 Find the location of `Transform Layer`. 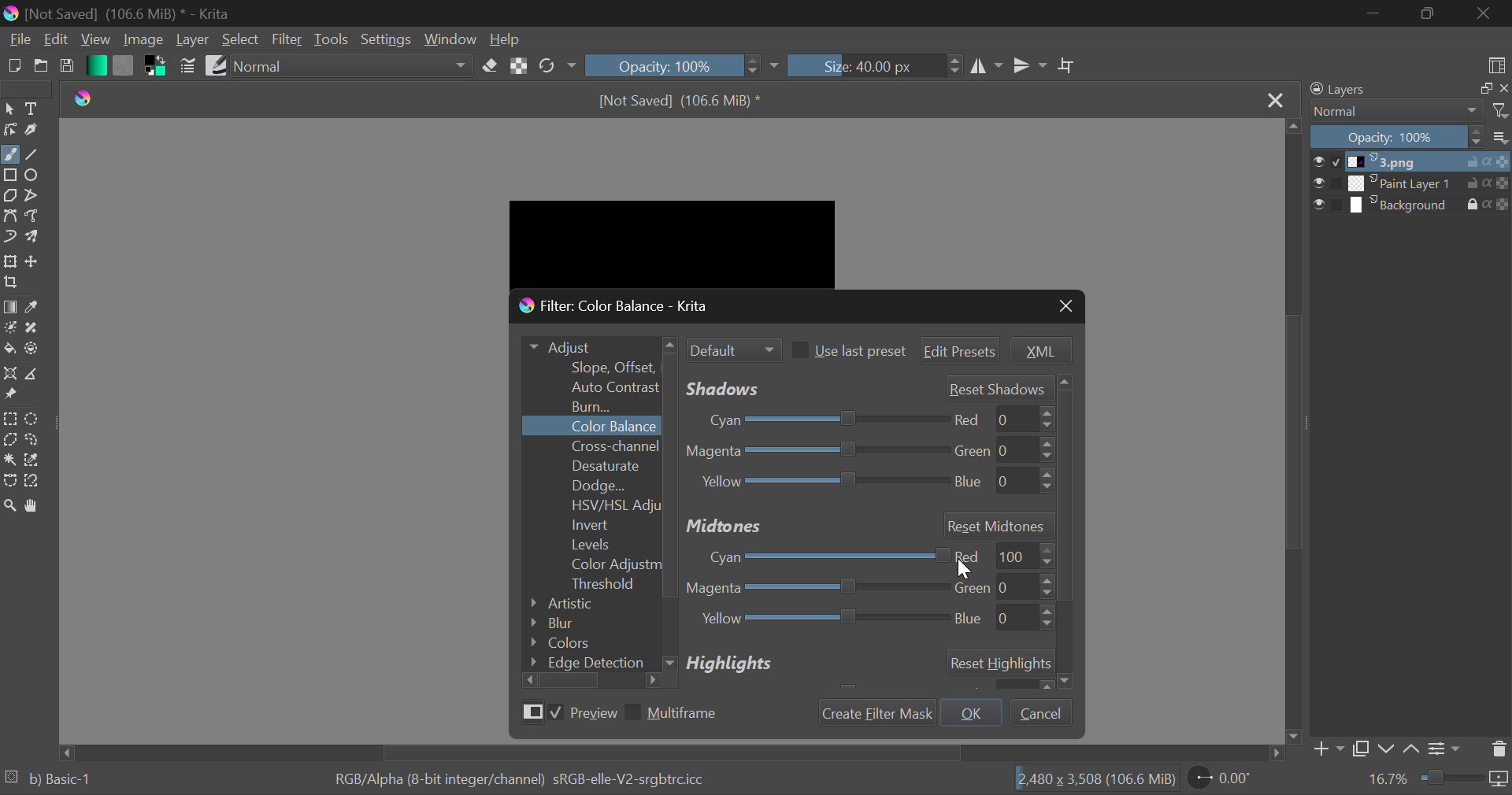

Transform Layer is located at coordinates (10, 262).